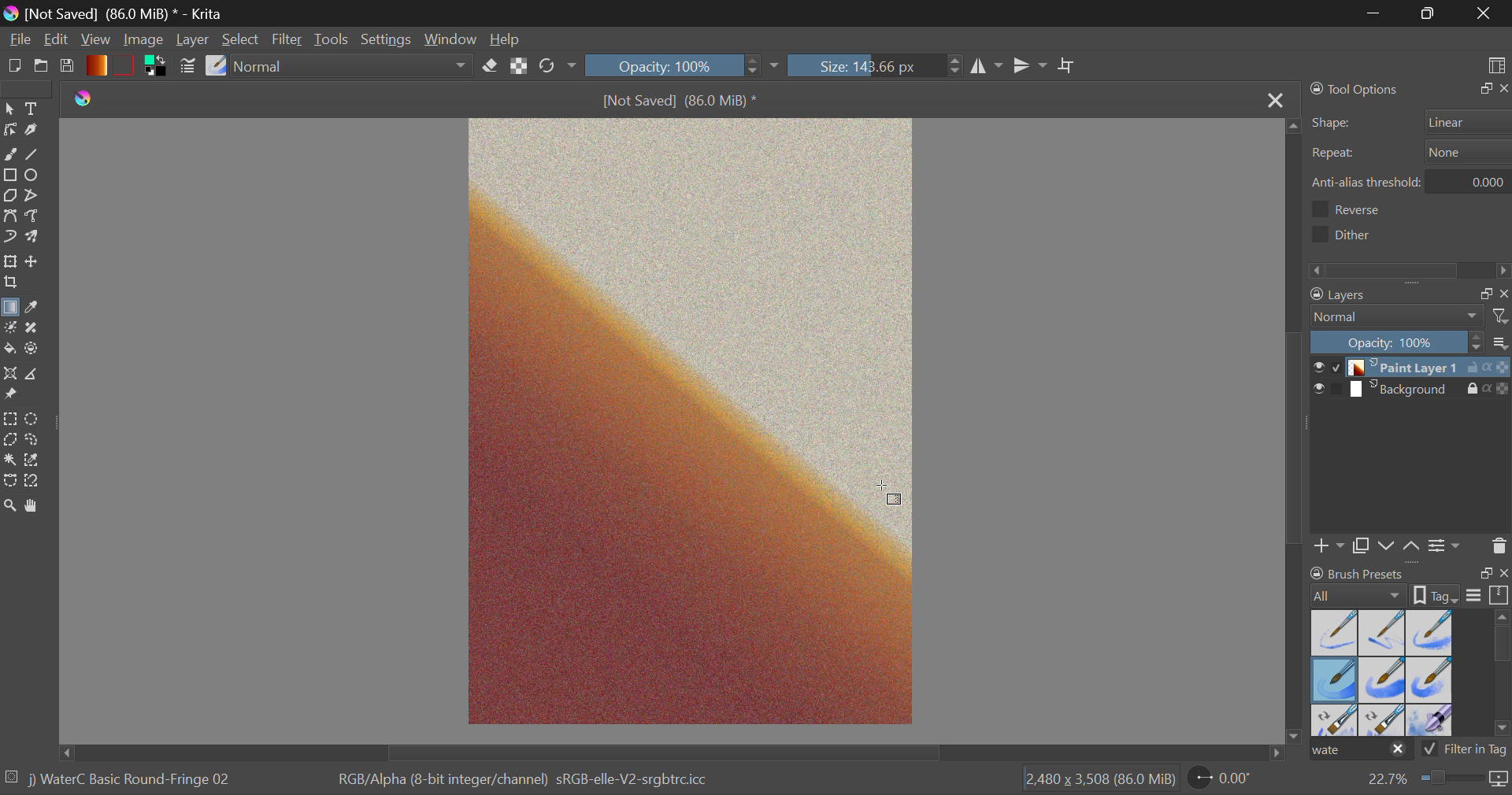  Describe the element at coordinates (35, 109) in the screenshot. I see `Text` at that location.